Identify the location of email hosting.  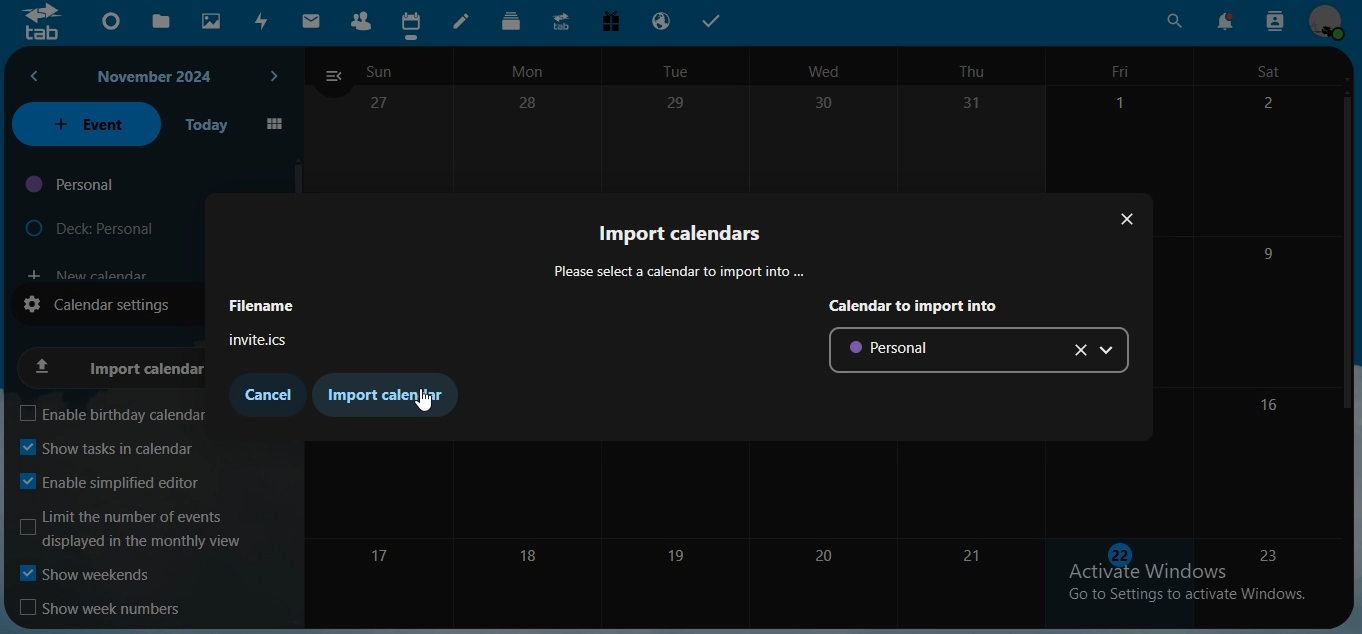
(663, 20).